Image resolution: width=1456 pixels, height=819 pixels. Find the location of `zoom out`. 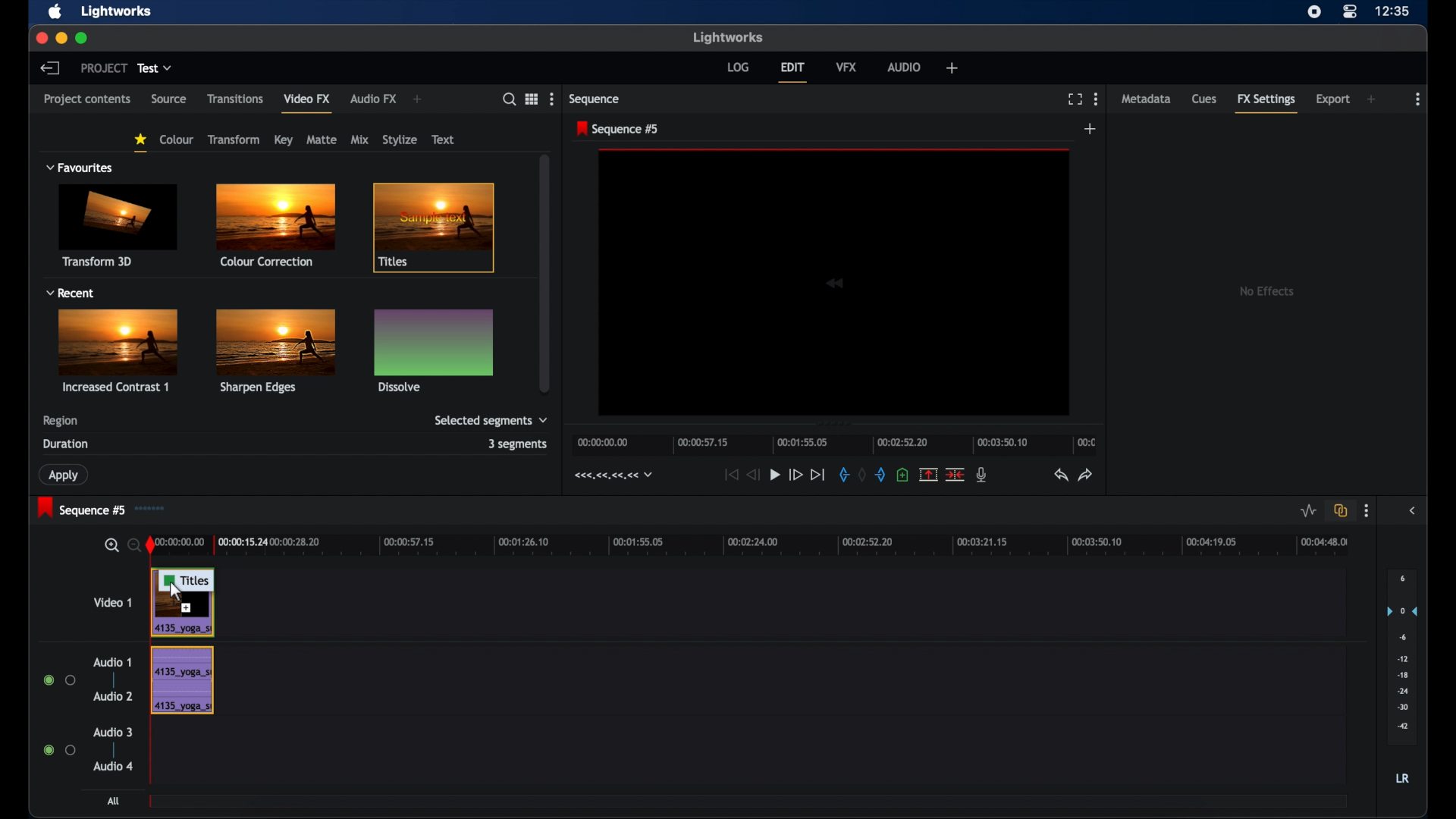

zoom out is located at coordinates (133, 544).